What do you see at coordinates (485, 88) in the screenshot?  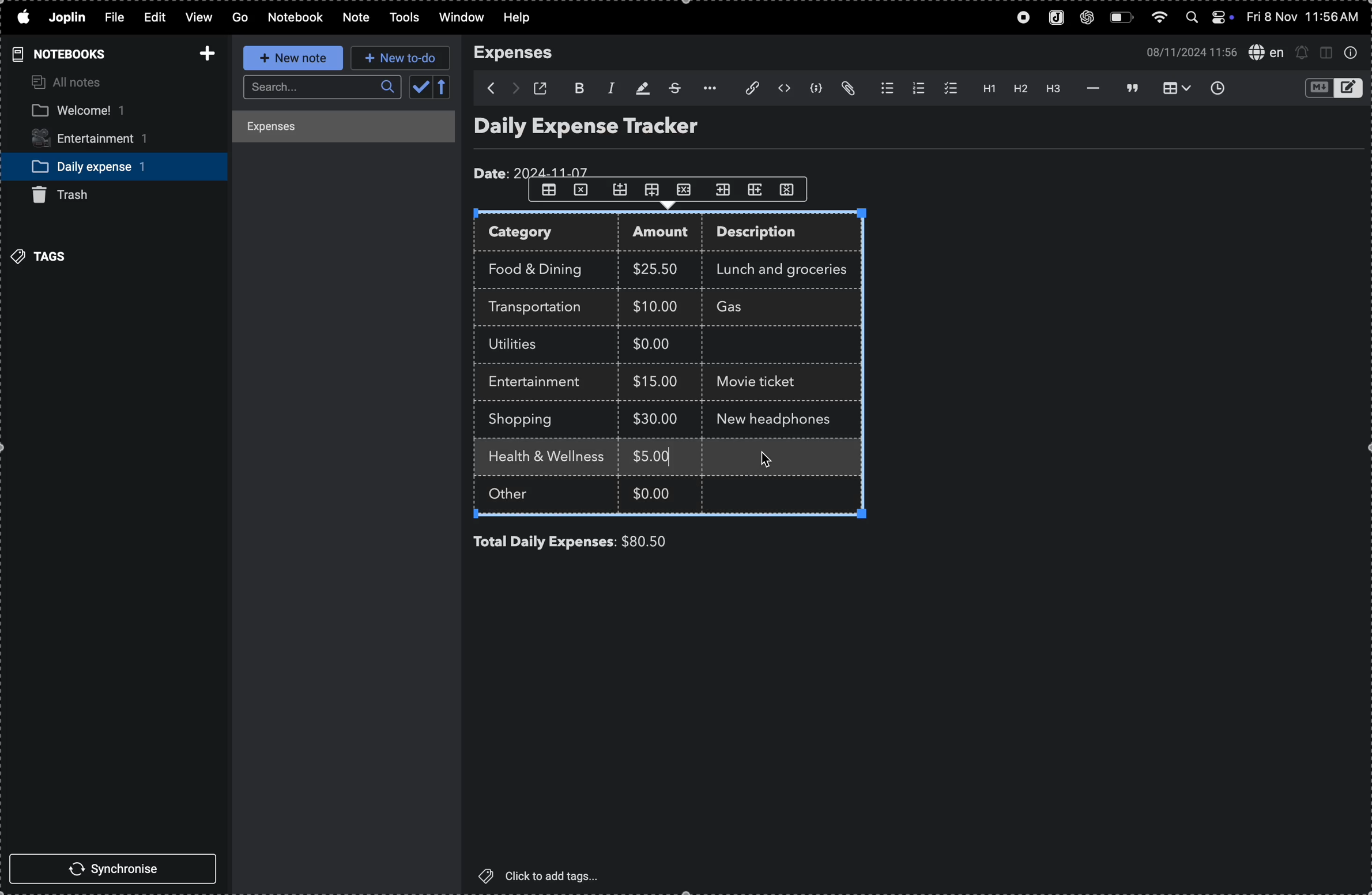 I see `backward` at bounding box center [485, 88].